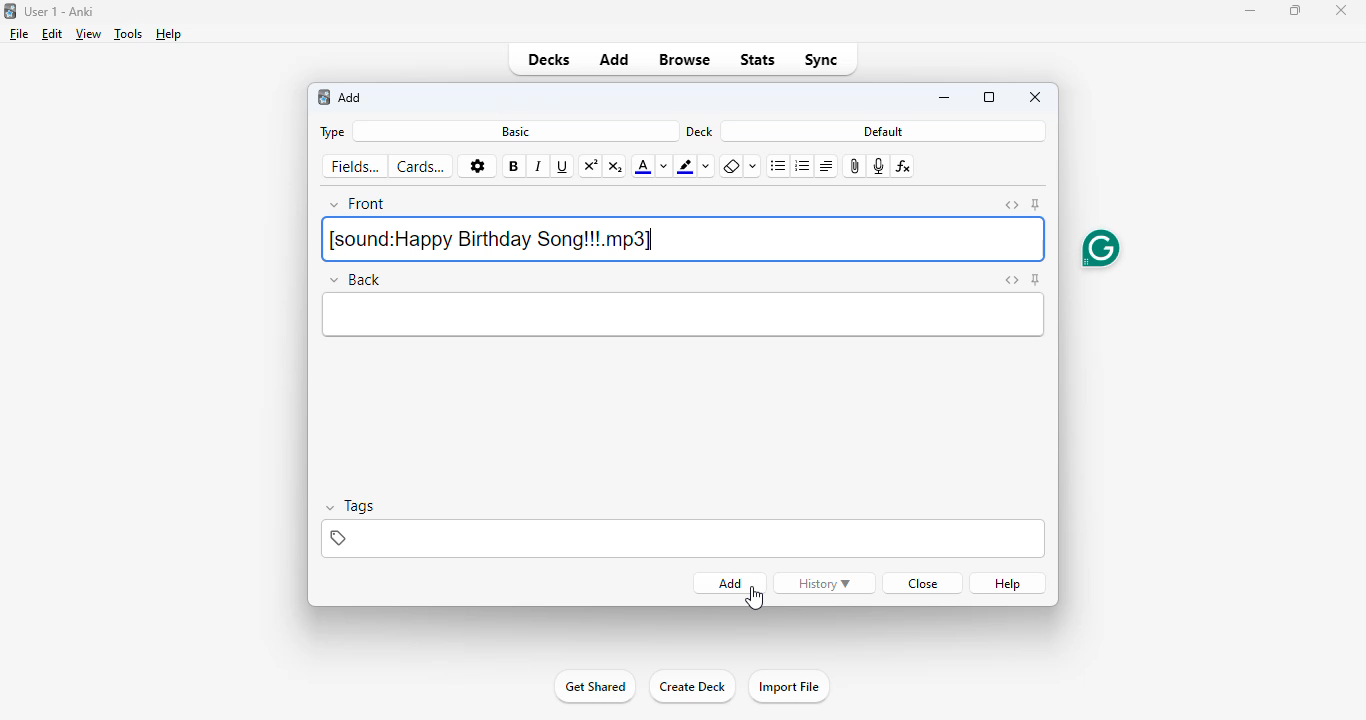 This screenshot has height=720, width=1366. What do you see at coordinates (802, 167) in the screenshot?
I see `ordered list` at bounding box center [802, 167].